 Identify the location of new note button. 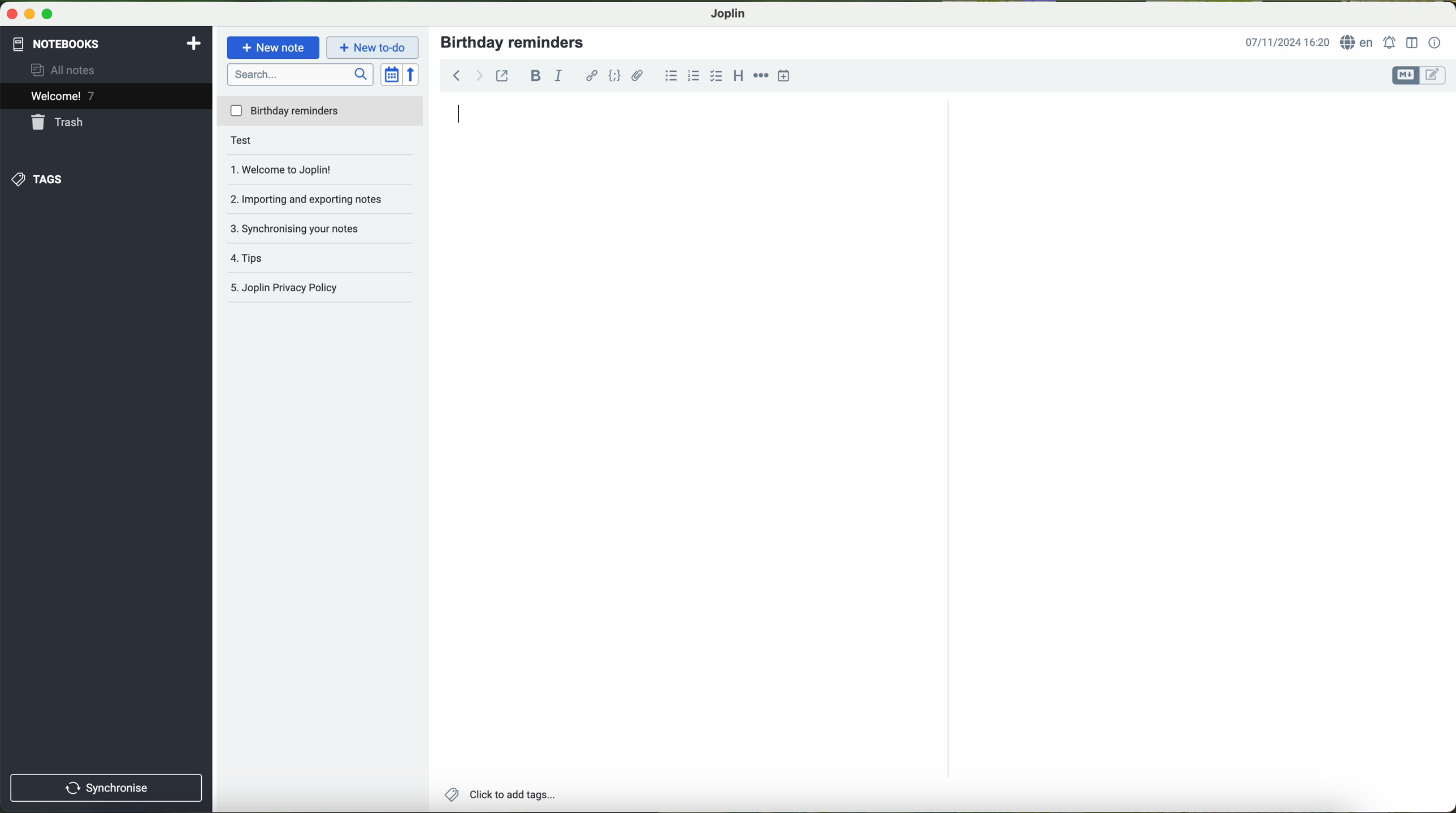
(272, 47).